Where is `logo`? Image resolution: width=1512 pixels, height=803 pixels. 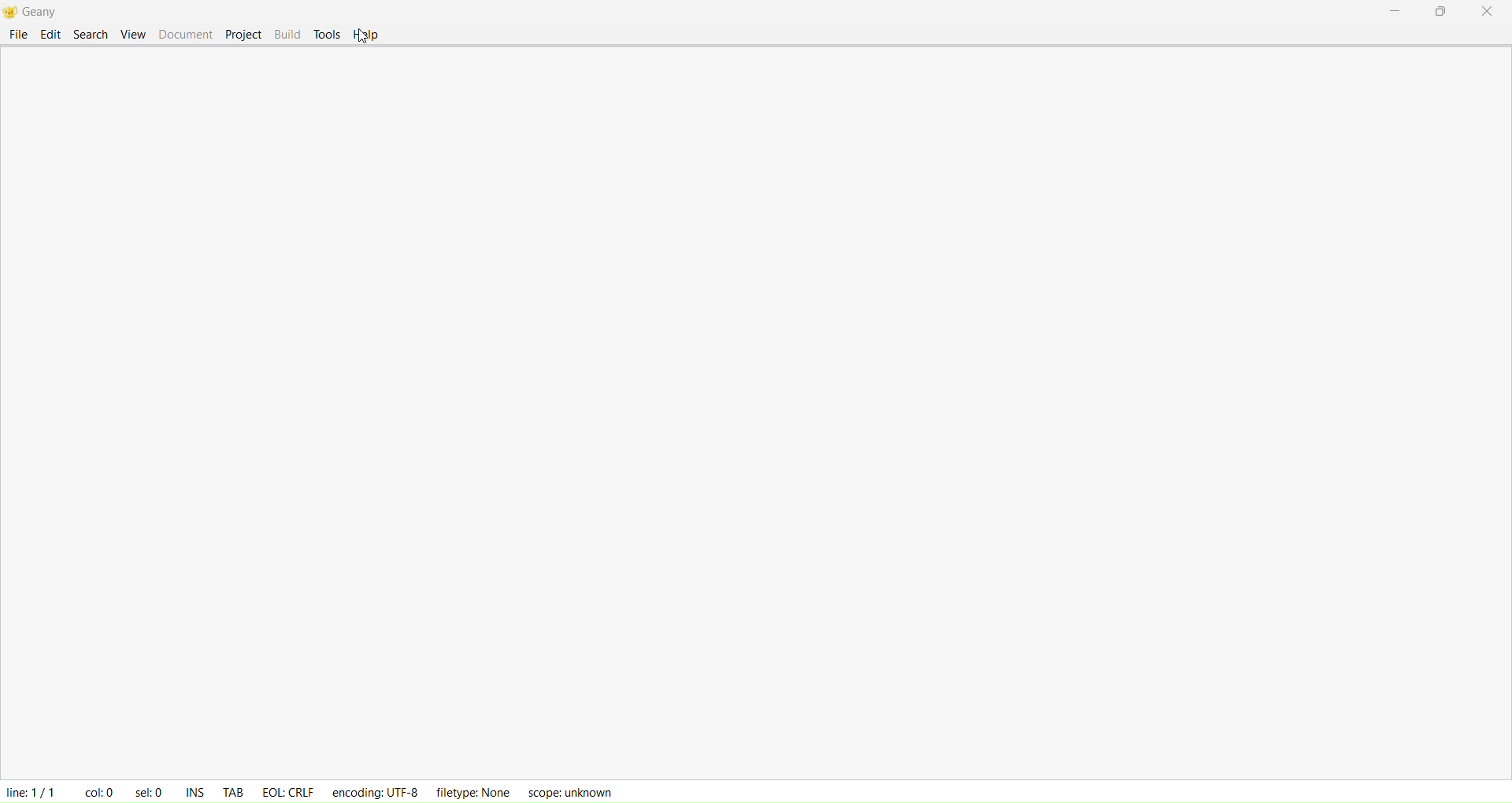
logo is located at coordinates (10, 13).